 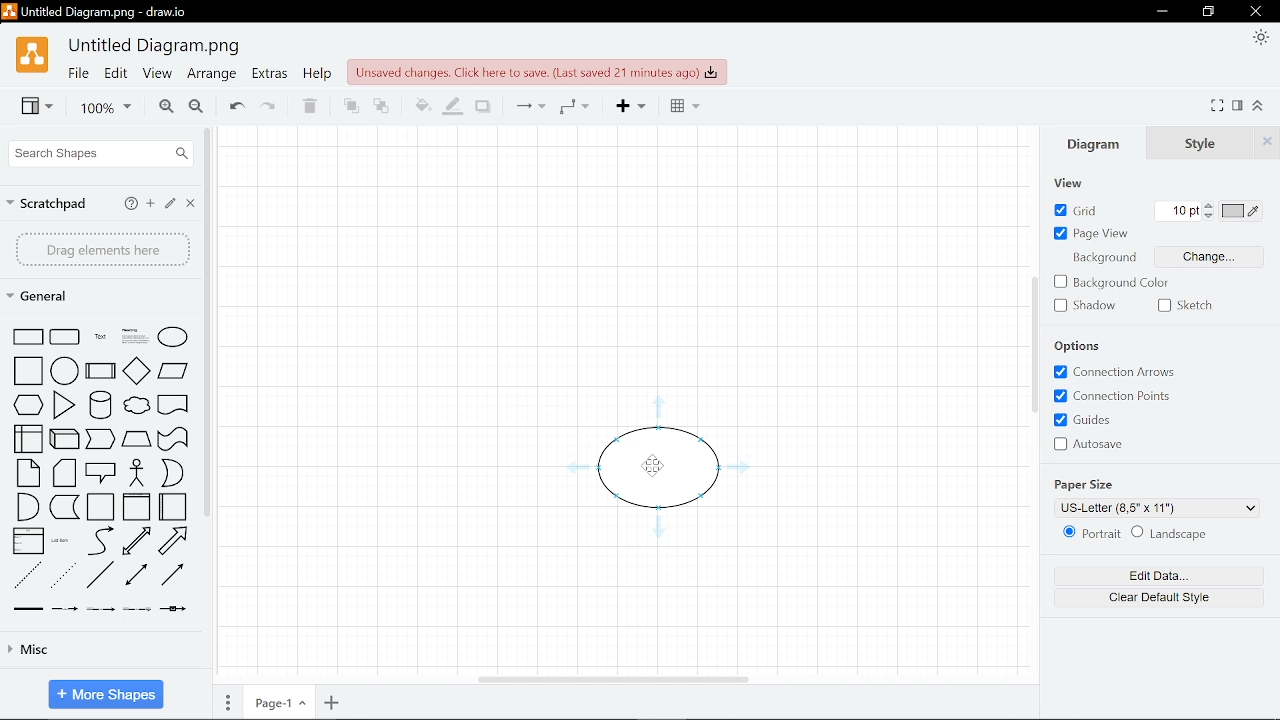 I want to click on Minimize, so click(x=1161, y=12).